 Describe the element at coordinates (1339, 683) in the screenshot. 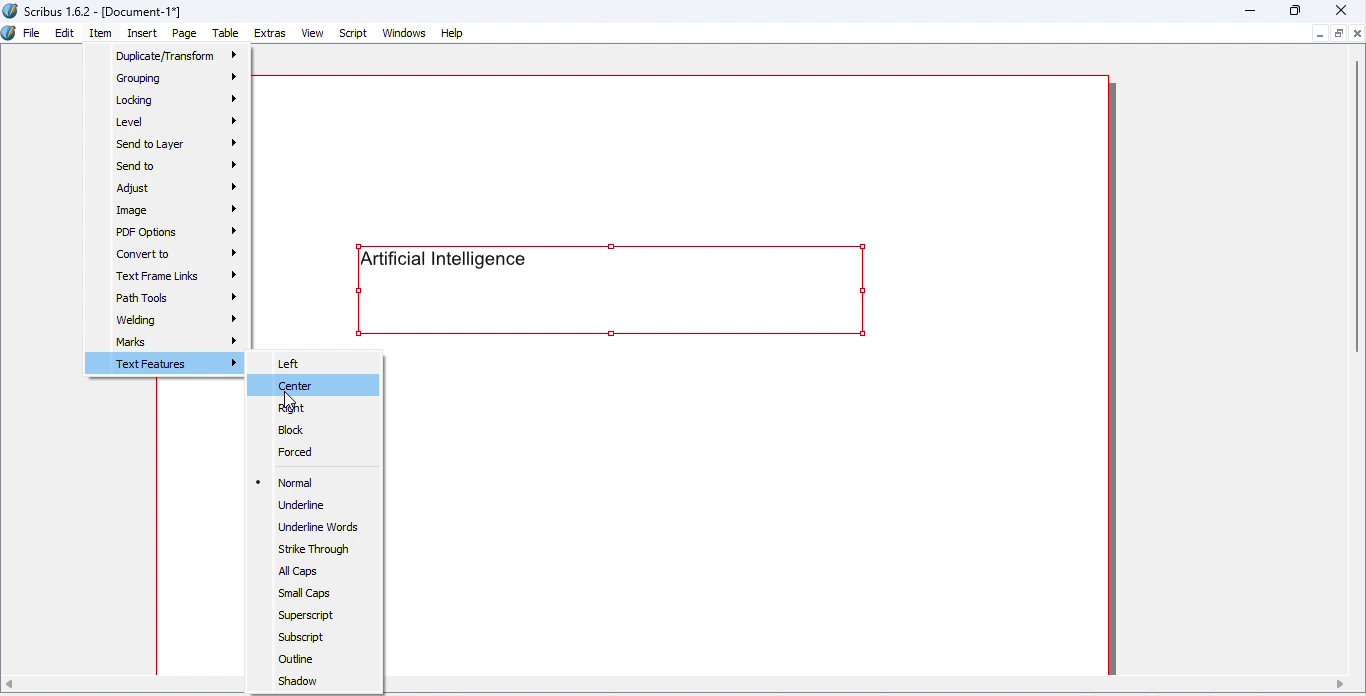

I see `move right` at that location.